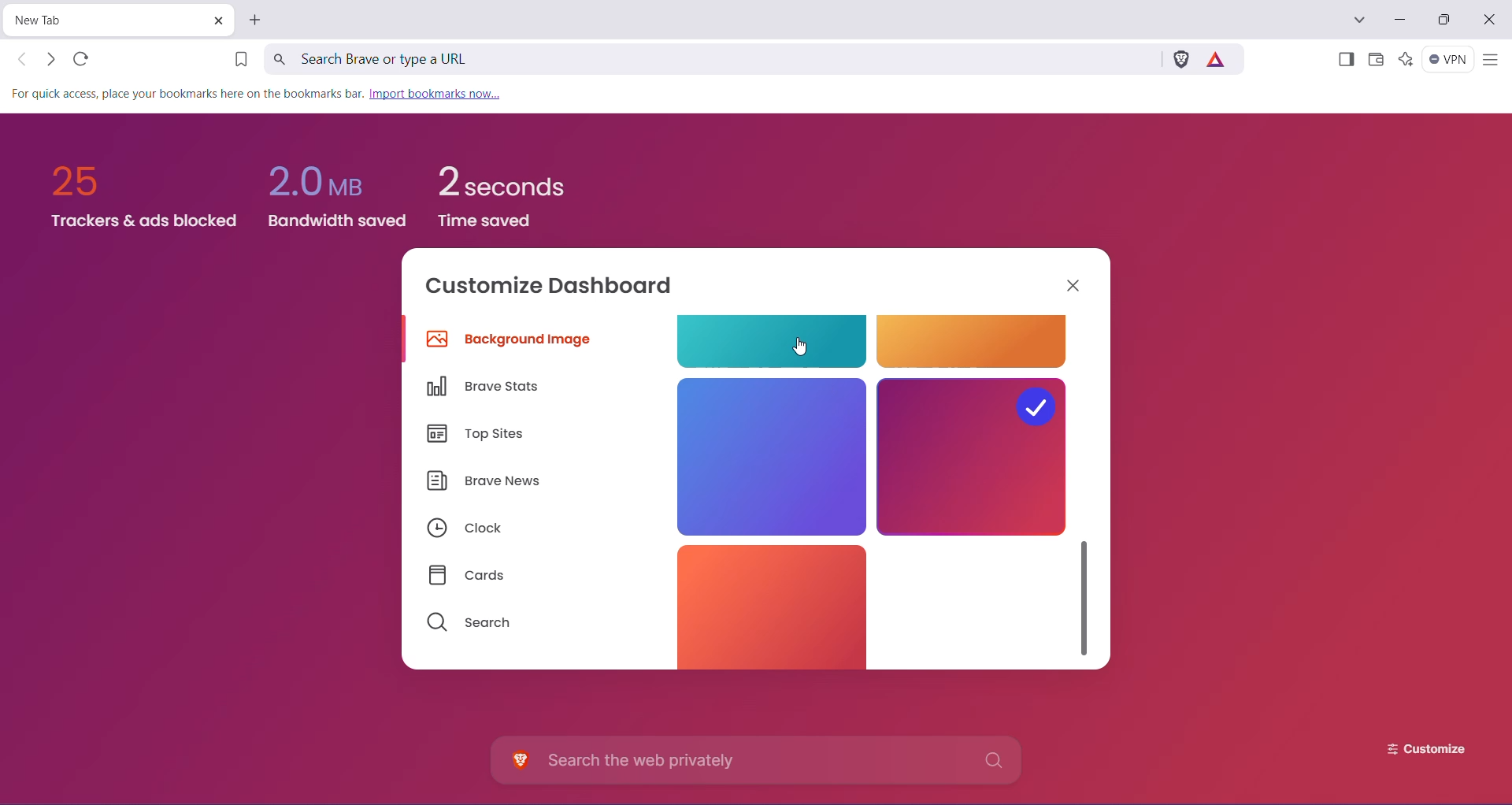 The image size is (1512, 805). What do you see at coordinates (136, 188) in the screenshot?
I see `25 trackers & ads blocked` at bounding box center [136, 188].